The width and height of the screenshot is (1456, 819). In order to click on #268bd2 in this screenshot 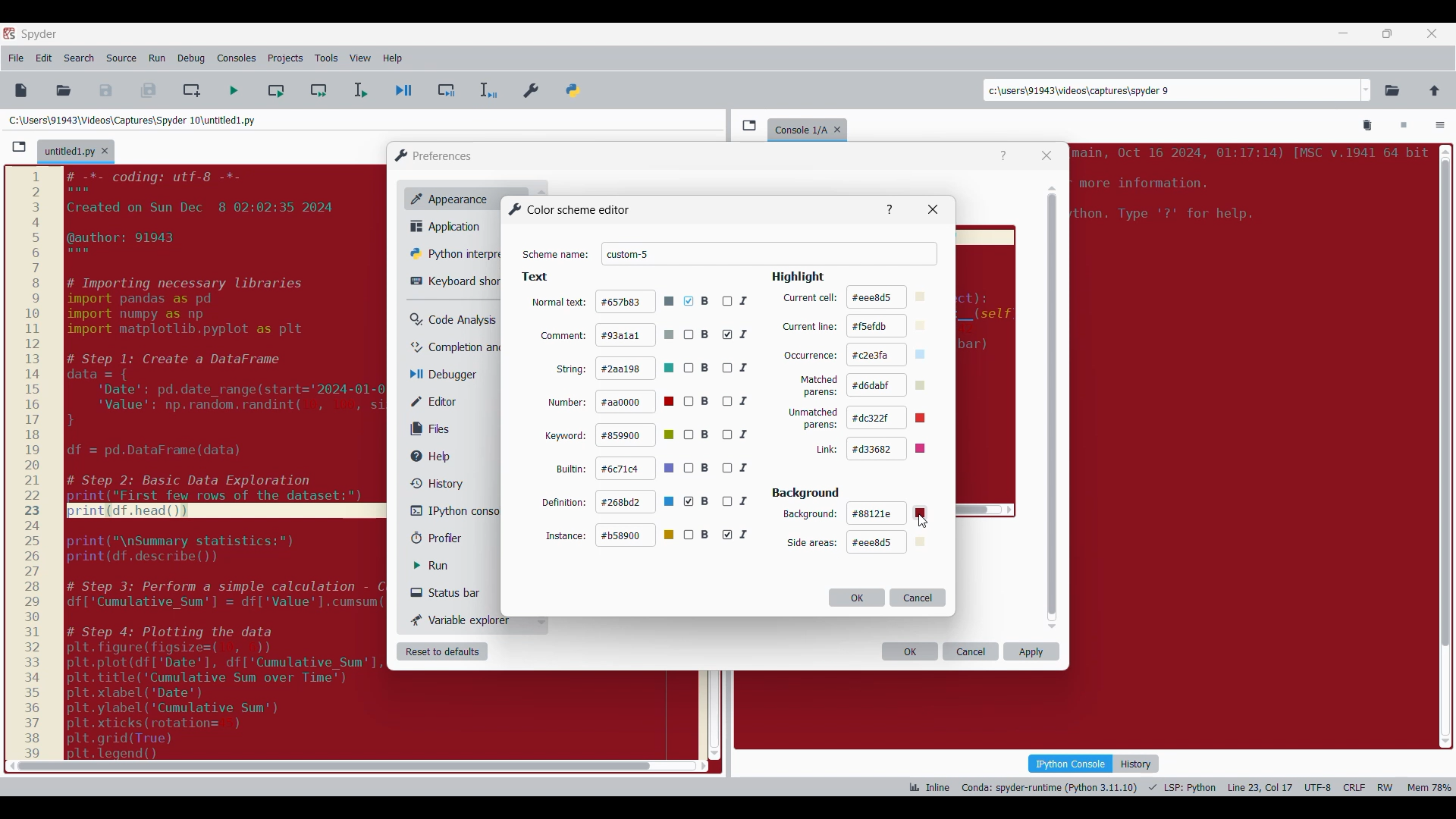, I will do `click(636, 503)`.